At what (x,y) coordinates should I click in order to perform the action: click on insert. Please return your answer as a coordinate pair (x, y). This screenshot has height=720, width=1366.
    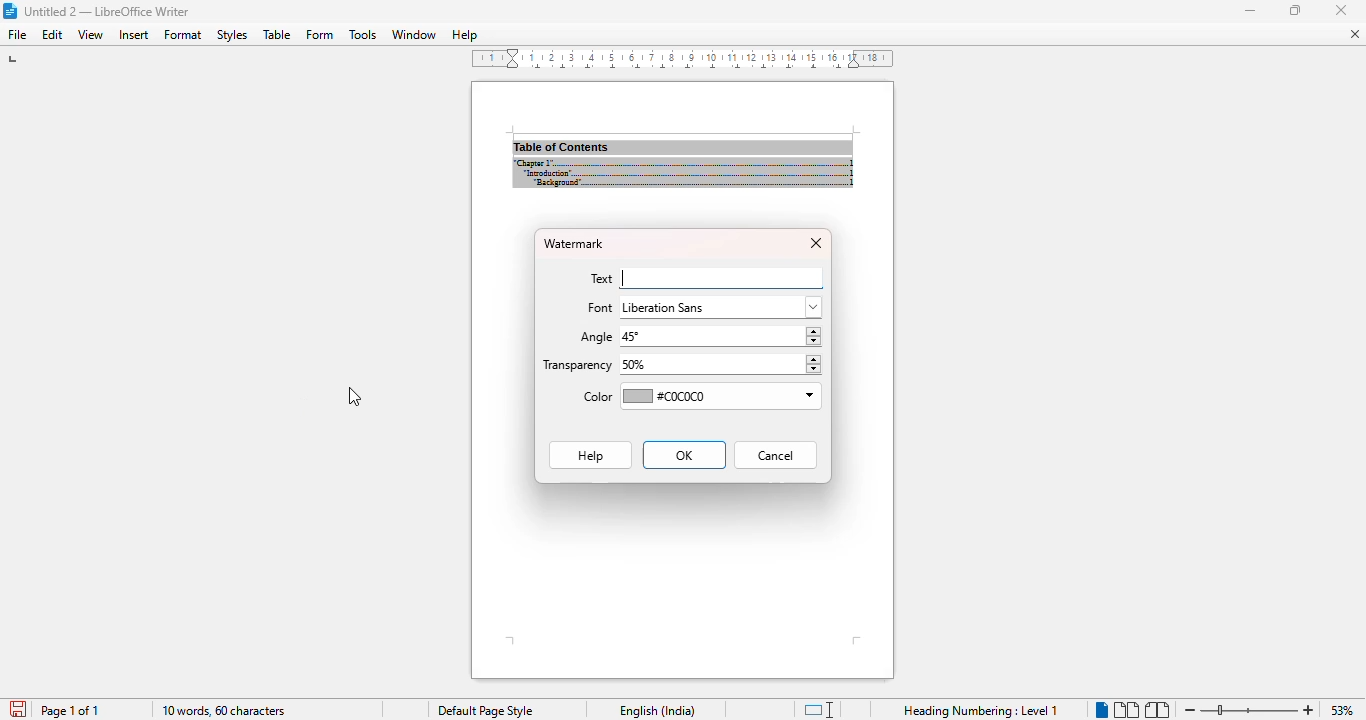
    Looking at the image, I should click on (133, 34).